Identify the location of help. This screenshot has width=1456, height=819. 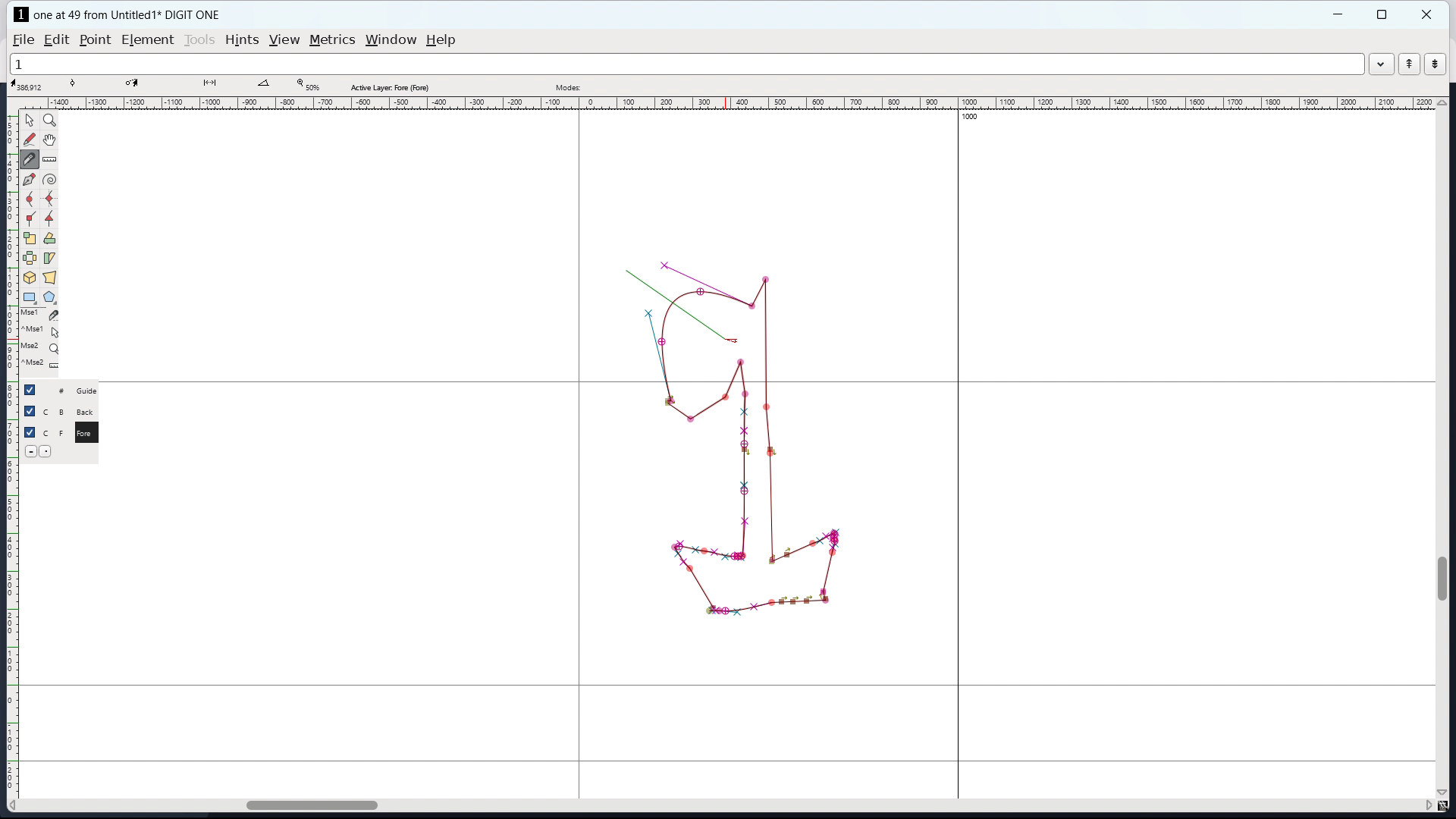
(441, 40).